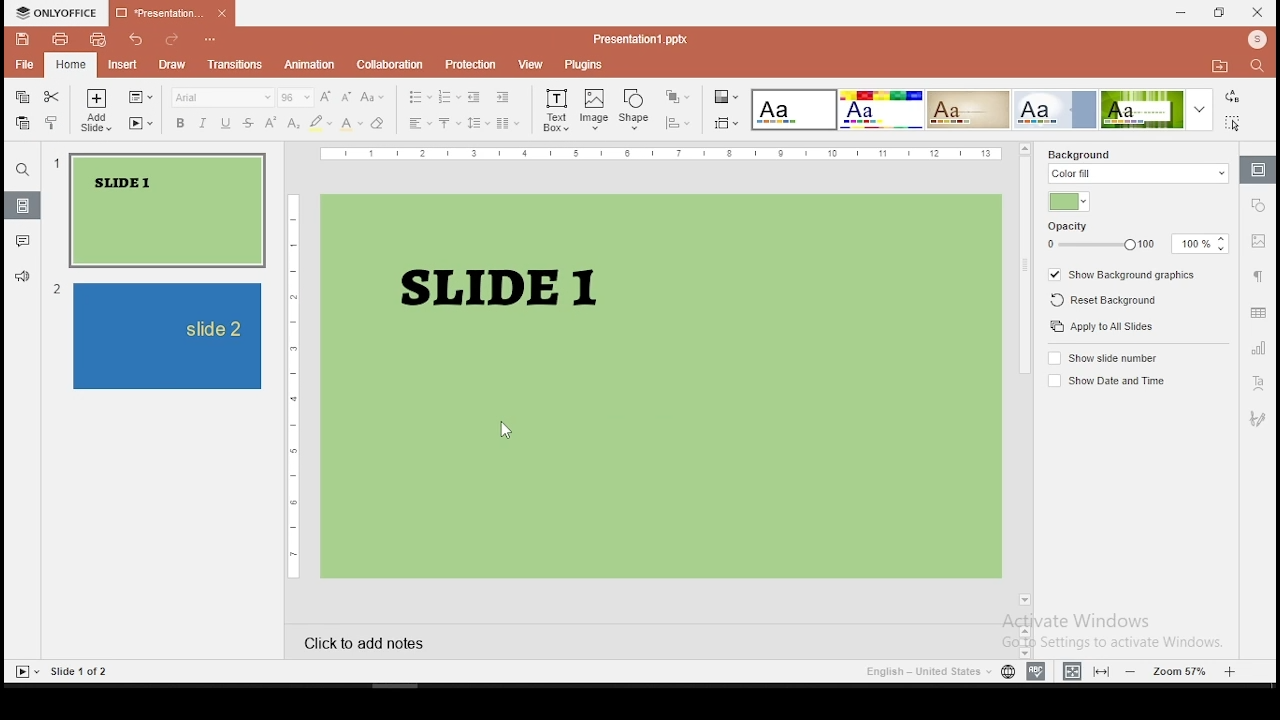 The width and height of the screenshot is (1280, 720). Describe the element at coordinates (21, 38) in the screenshot. I see `save` at that location.